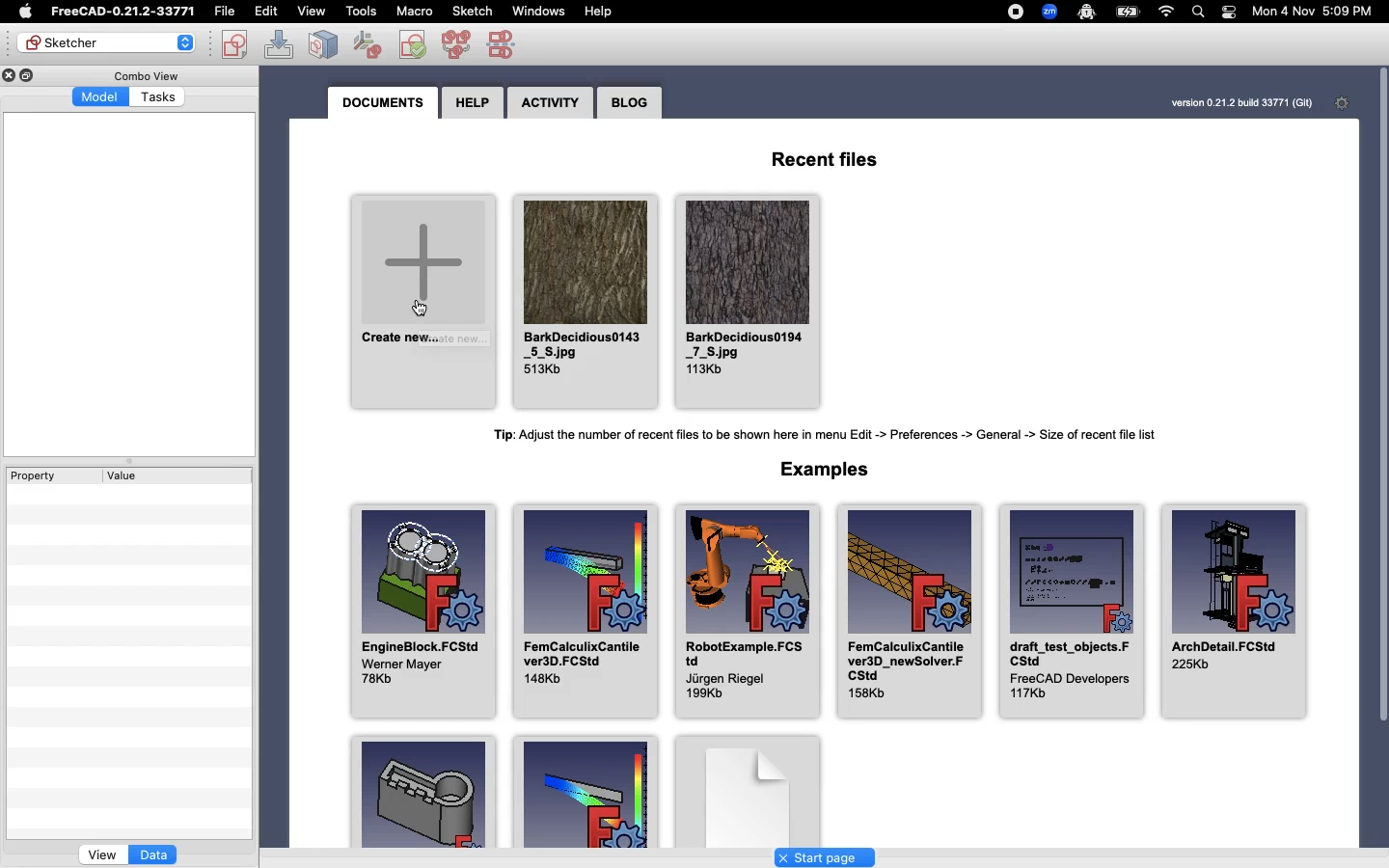 The image size is (1389, 868). What do you see at coordinates (588, 612) in the screenshot?
I see `FemCalculixCantile ver3D.FCStd 148Kb` at bounding box center [588, 612].